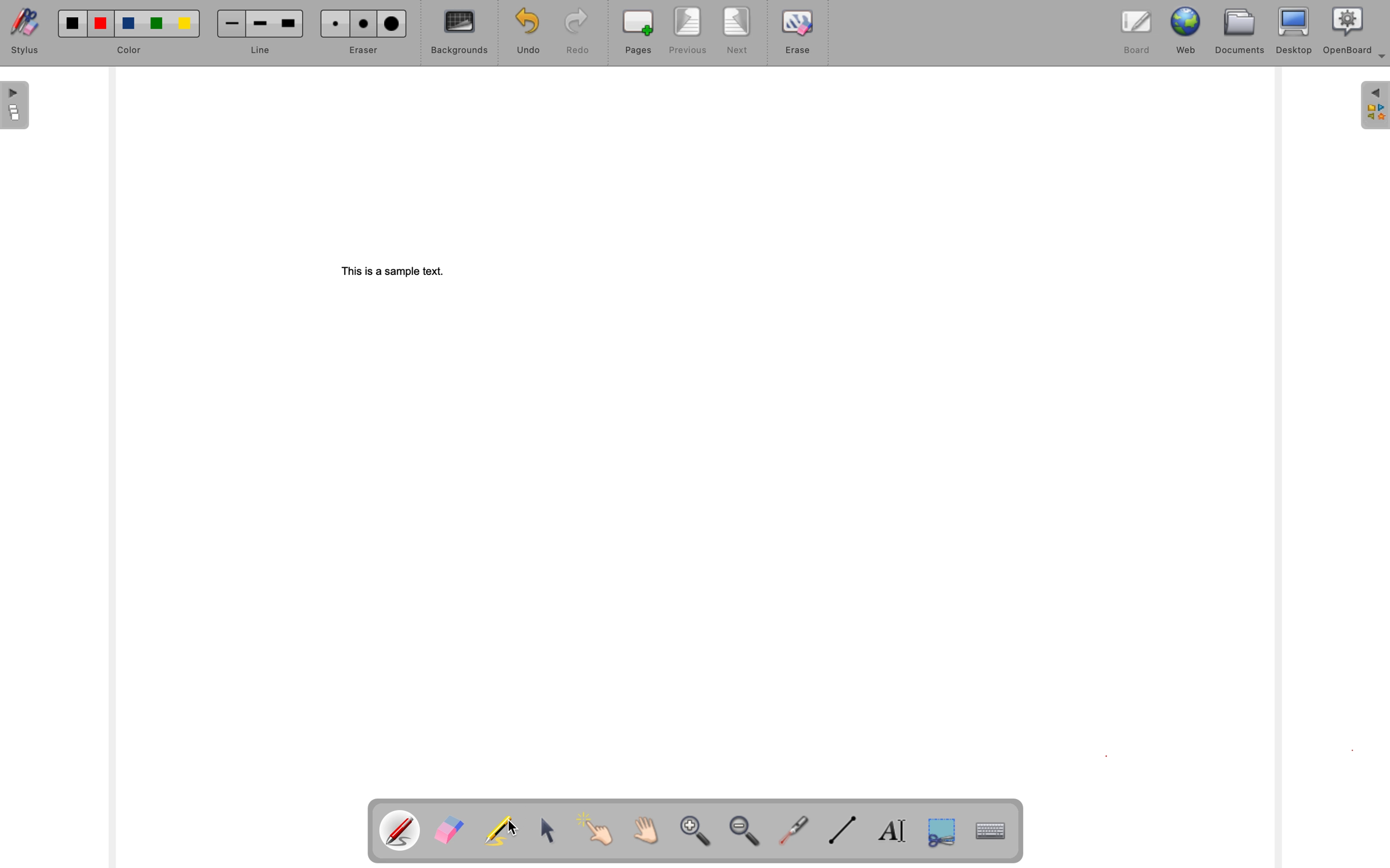  What do you see at coordinates (185, 24) in the screenshot?
I see `Color 5` at bounding box center [185, 24].